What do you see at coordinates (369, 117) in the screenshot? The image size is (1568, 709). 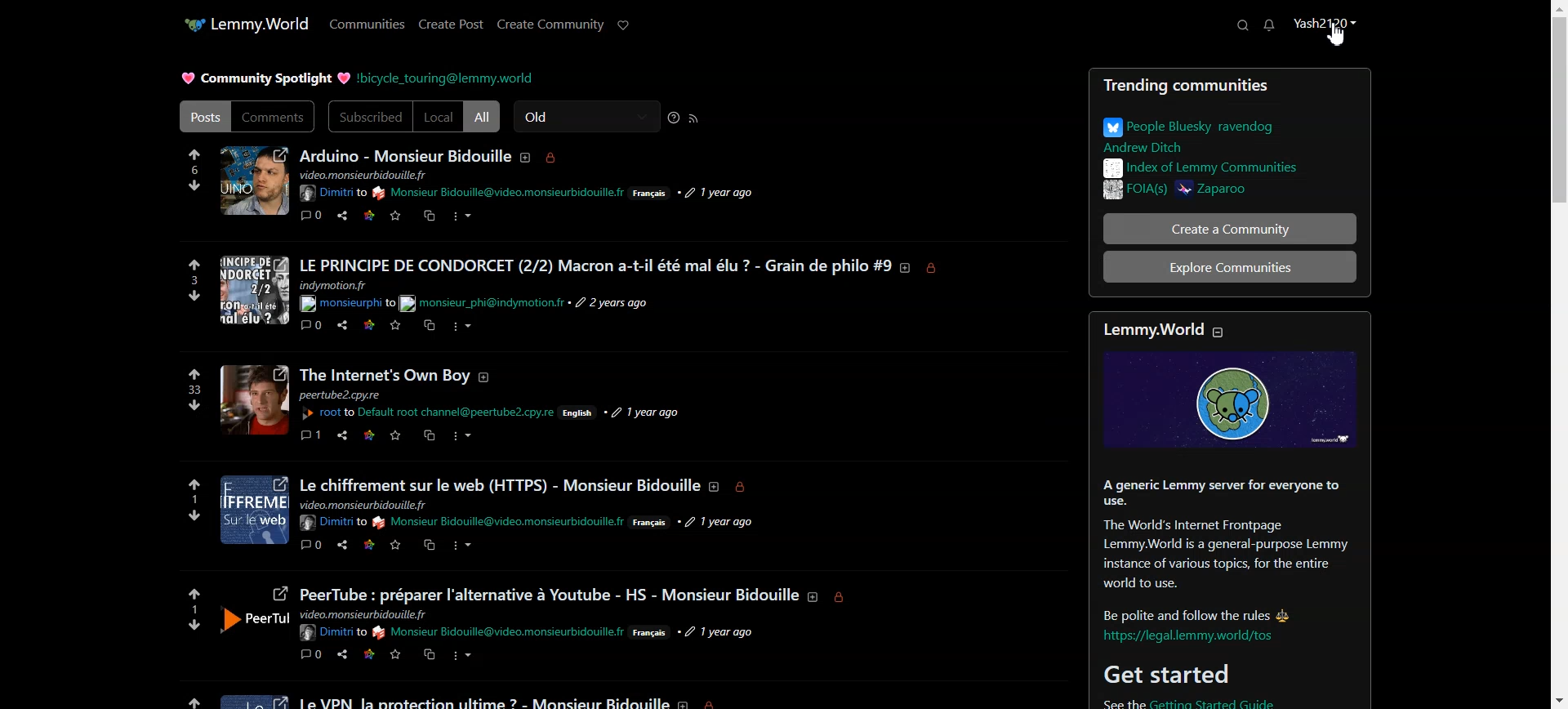 I see `Subscribed` at bounding box center [369, 117].